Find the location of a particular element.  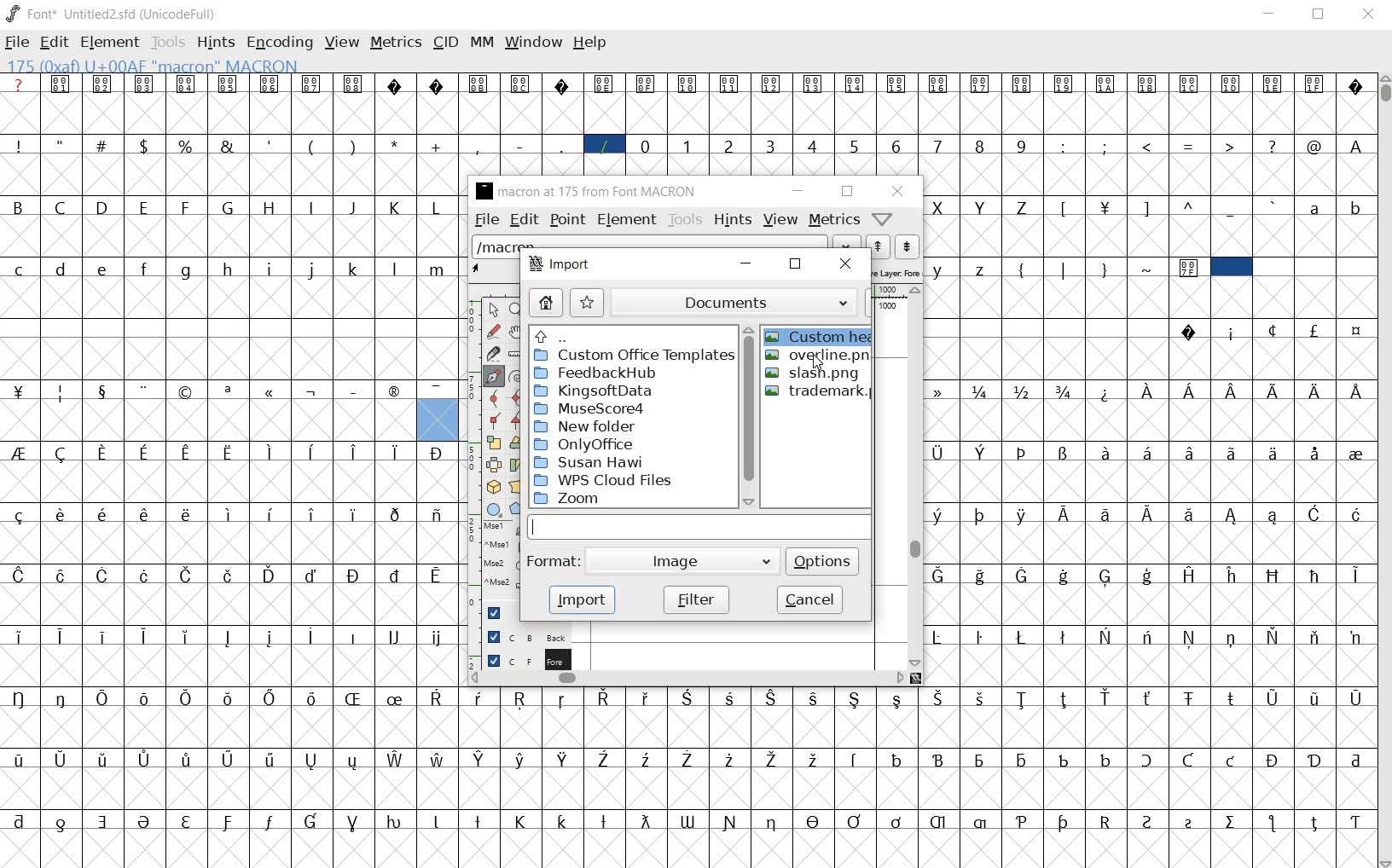

Symbol is located at coordinates (439, 758).